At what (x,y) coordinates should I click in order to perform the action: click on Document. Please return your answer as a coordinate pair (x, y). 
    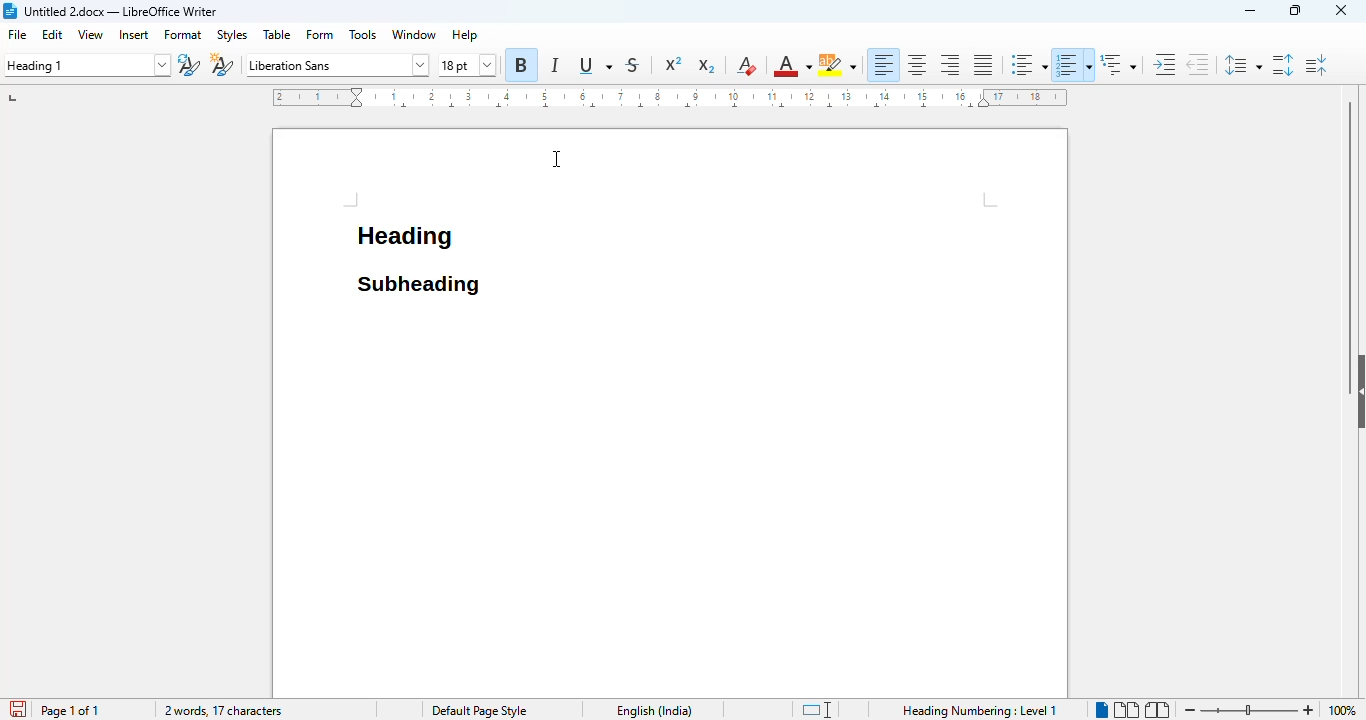
    Looking at the image, I should click on (417, 175).